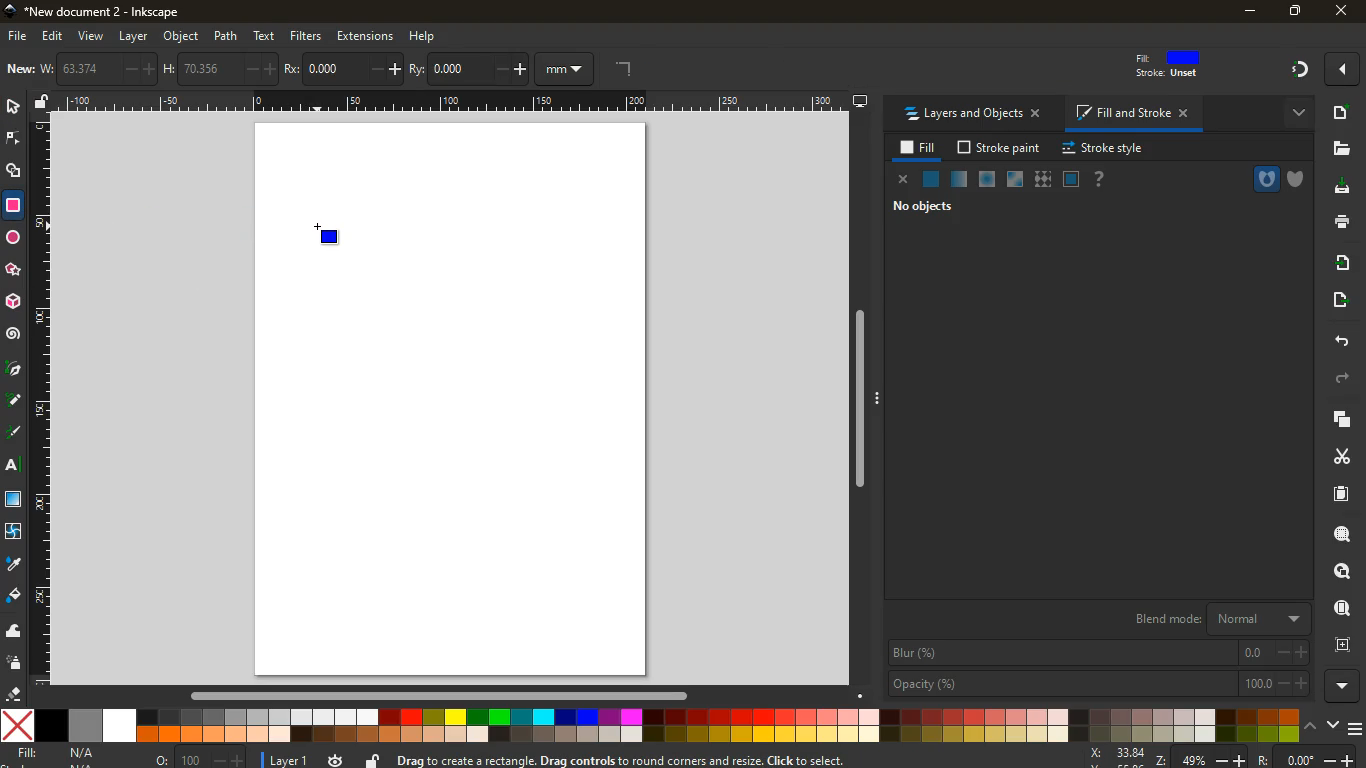  Describe the element at coordinates (1300, 116) in the screenshot. I see `more` at that location.